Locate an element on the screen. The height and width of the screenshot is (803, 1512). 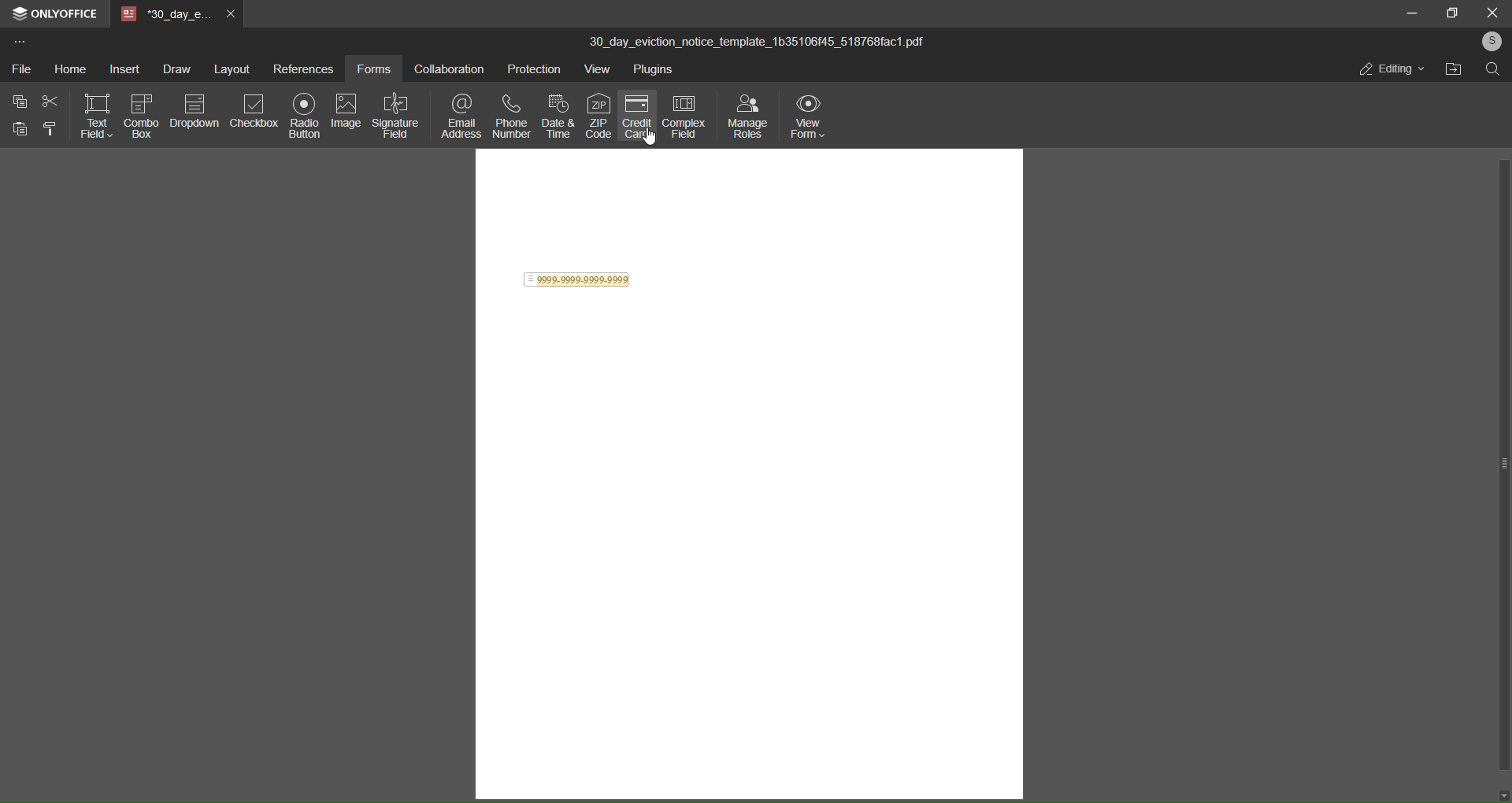
insert is located at coordinates (120, 68).